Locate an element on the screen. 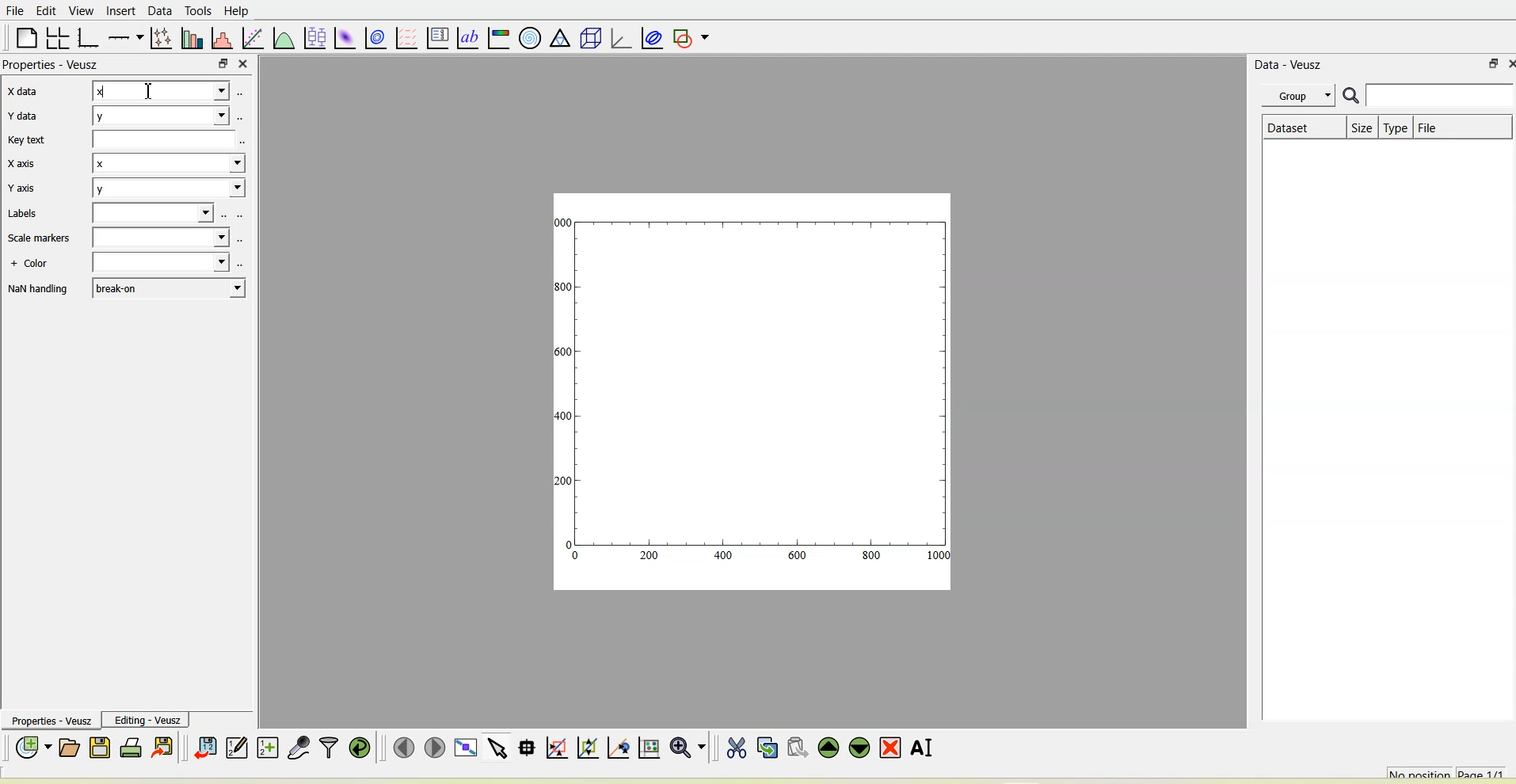 The width and height of the screenshot is (1516, 784). Edit and enter new datasets is located at coordinates (235, 748).